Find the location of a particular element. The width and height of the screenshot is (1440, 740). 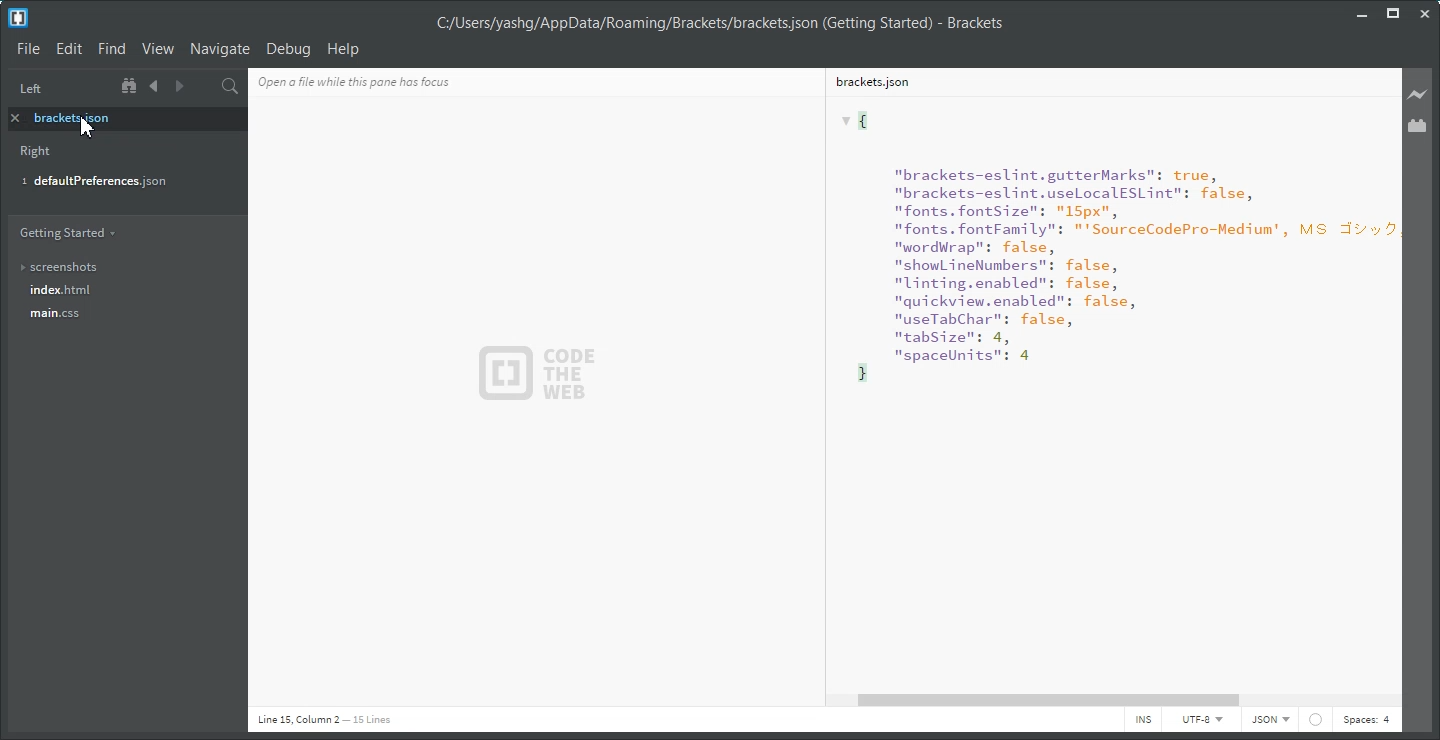

Text is located at coordinates (387, 80).